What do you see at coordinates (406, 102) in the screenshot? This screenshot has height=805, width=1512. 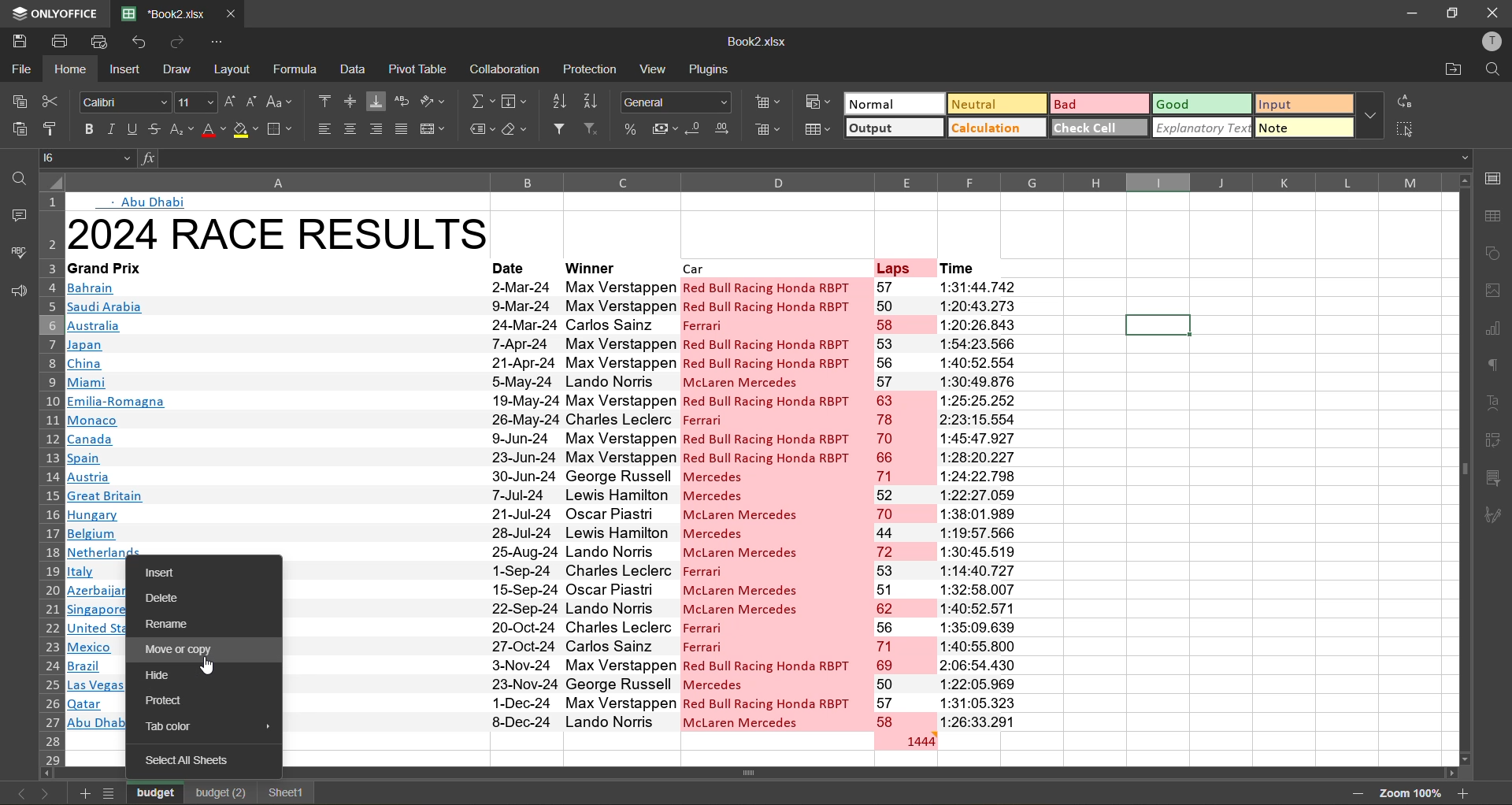 I see `wrap text` at bounding box center [406, 102].